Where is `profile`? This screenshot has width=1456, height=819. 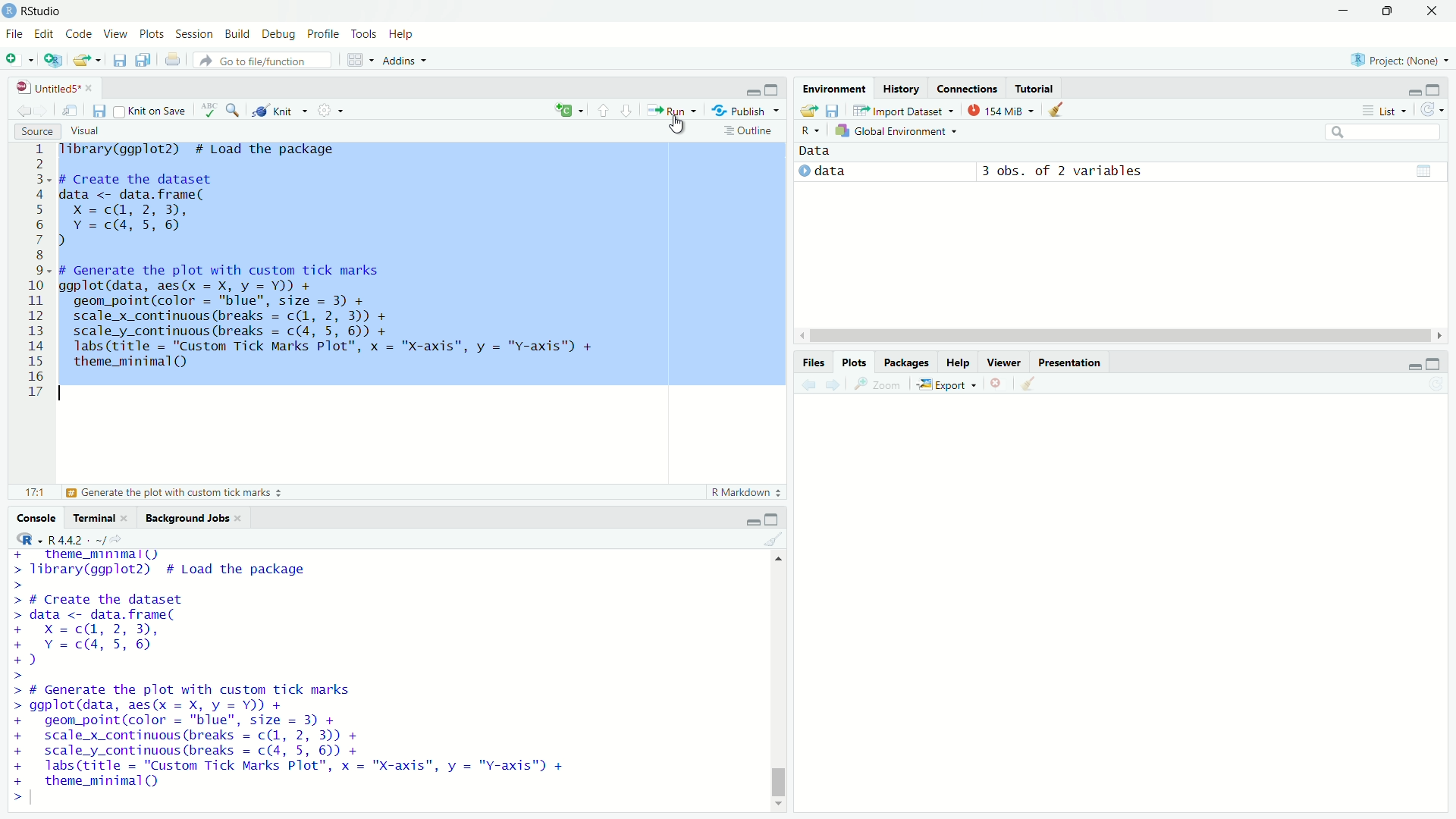
profile is located at coordinates (323, 34).